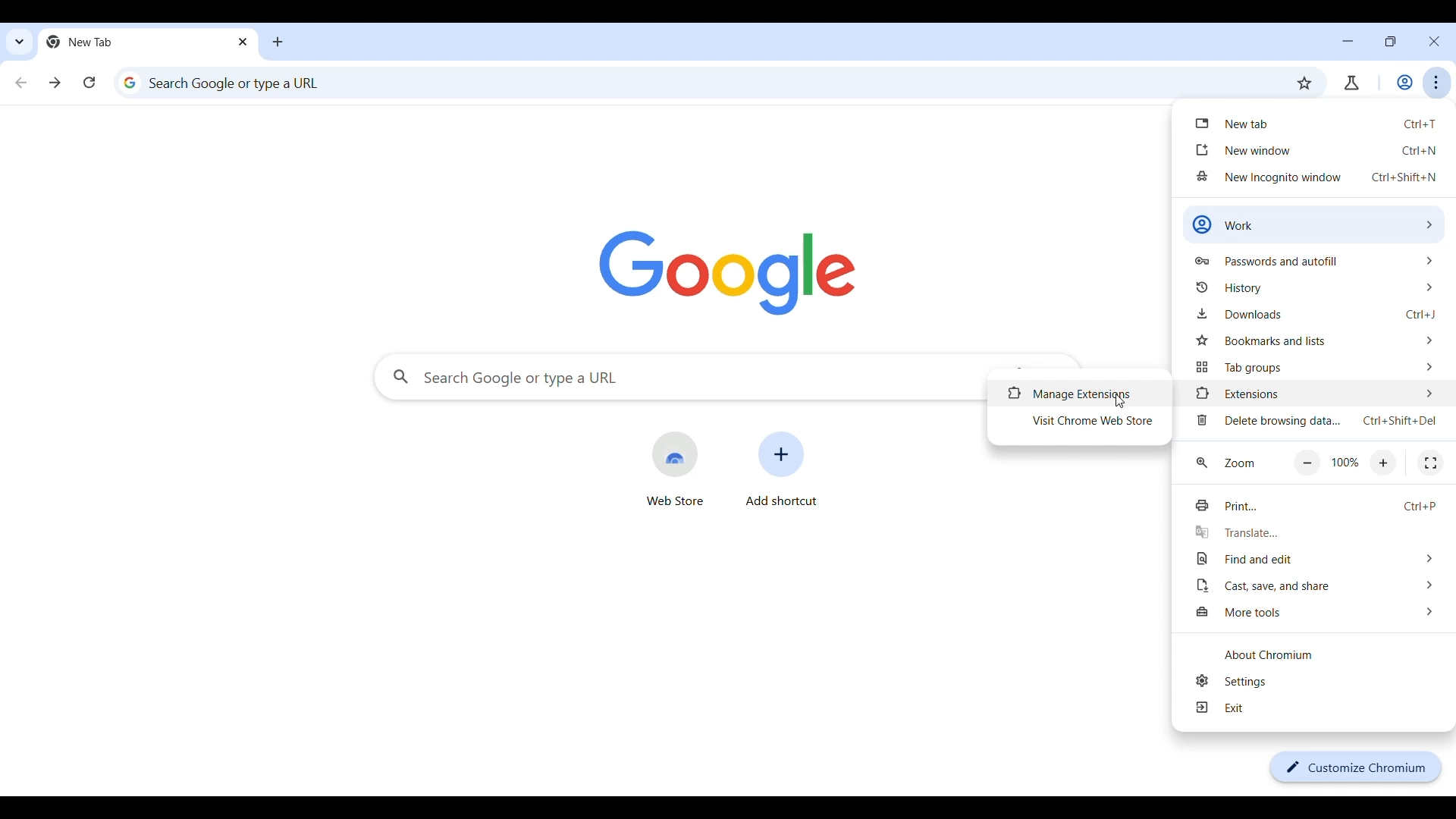 The height and width of the screenshot is (819, 1456). I want to click on Zoom symbol, so click(1201, 462).